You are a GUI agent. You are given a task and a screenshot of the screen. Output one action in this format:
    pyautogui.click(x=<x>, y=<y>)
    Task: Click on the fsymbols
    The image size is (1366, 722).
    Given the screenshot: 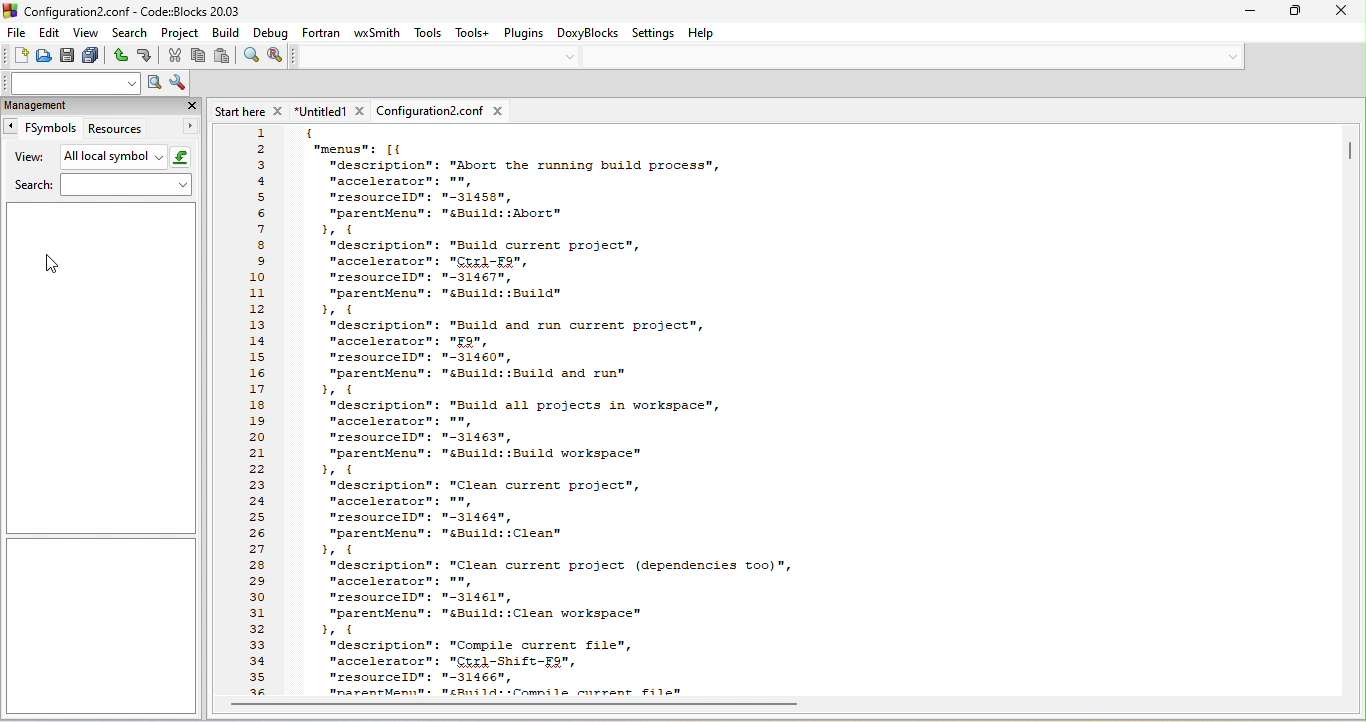 What is the action you would take?
    pyautogui.click(x=39, y=127)
    